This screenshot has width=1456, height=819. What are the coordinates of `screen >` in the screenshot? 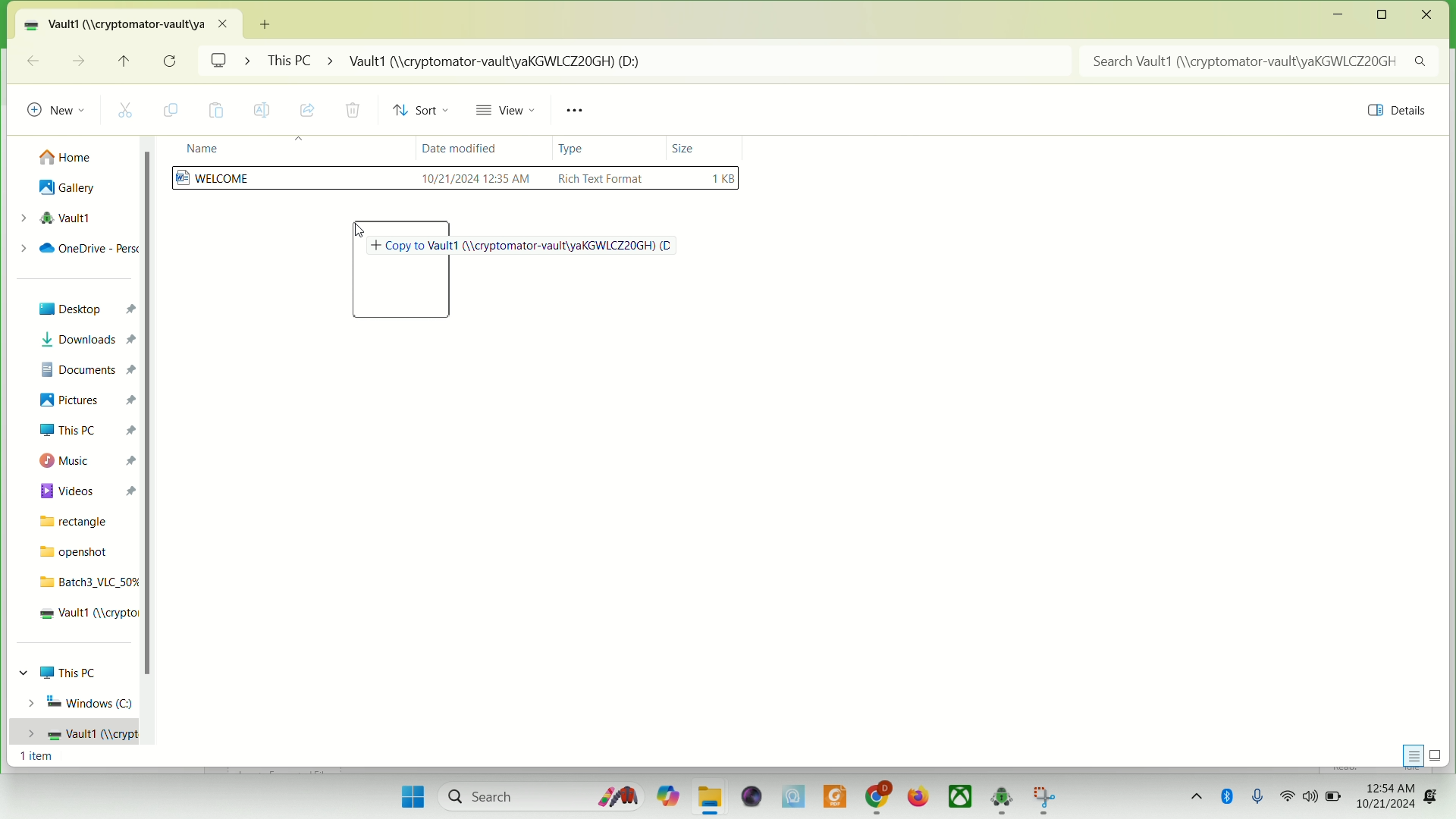 It's located at (231, 63).